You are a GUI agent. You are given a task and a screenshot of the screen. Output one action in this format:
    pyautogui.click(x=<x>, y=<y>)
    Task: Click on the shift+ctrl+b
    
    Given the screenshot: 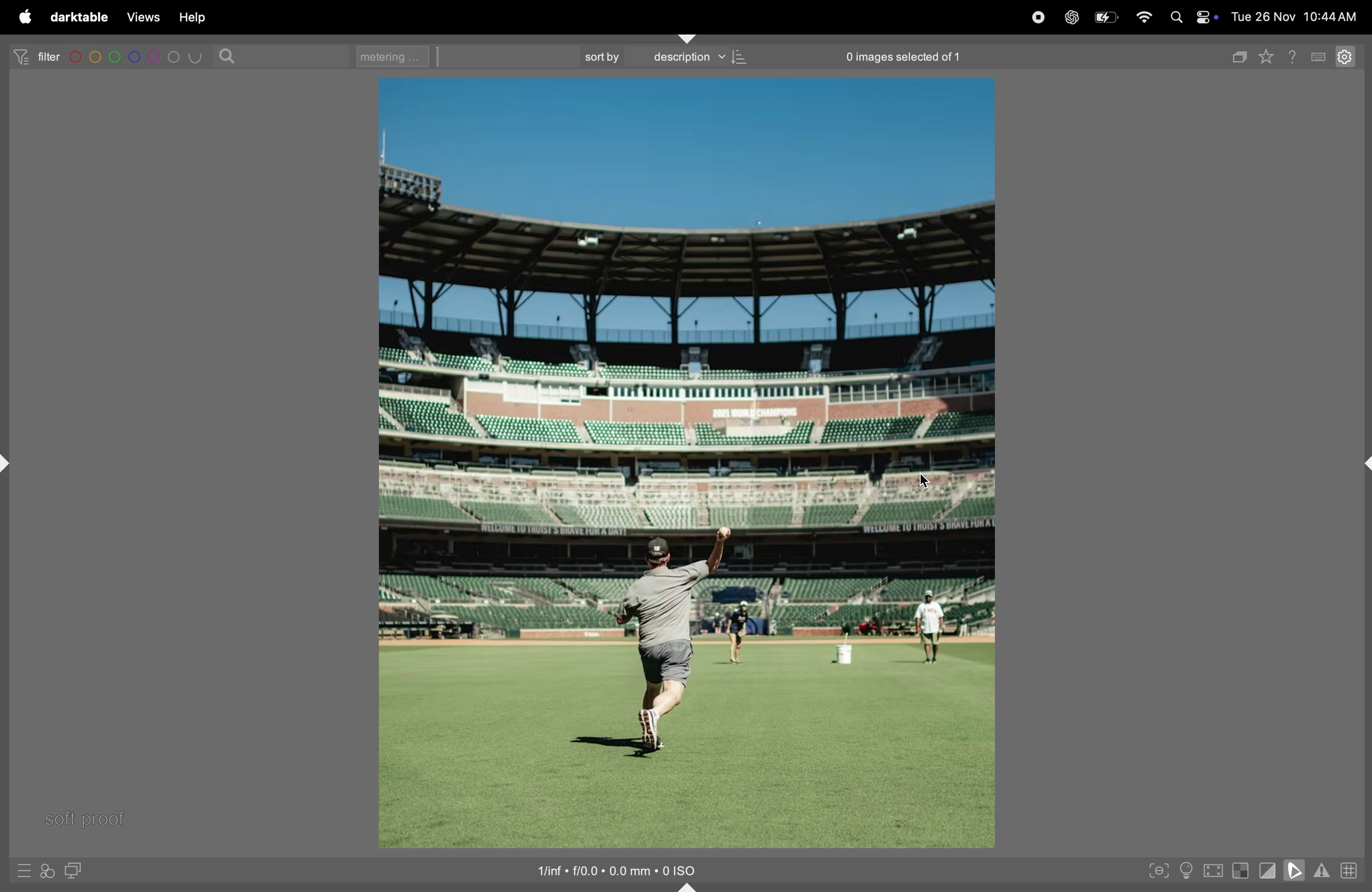 What is the action you would take?
    pyautogui.click(x=691, y=886)
    